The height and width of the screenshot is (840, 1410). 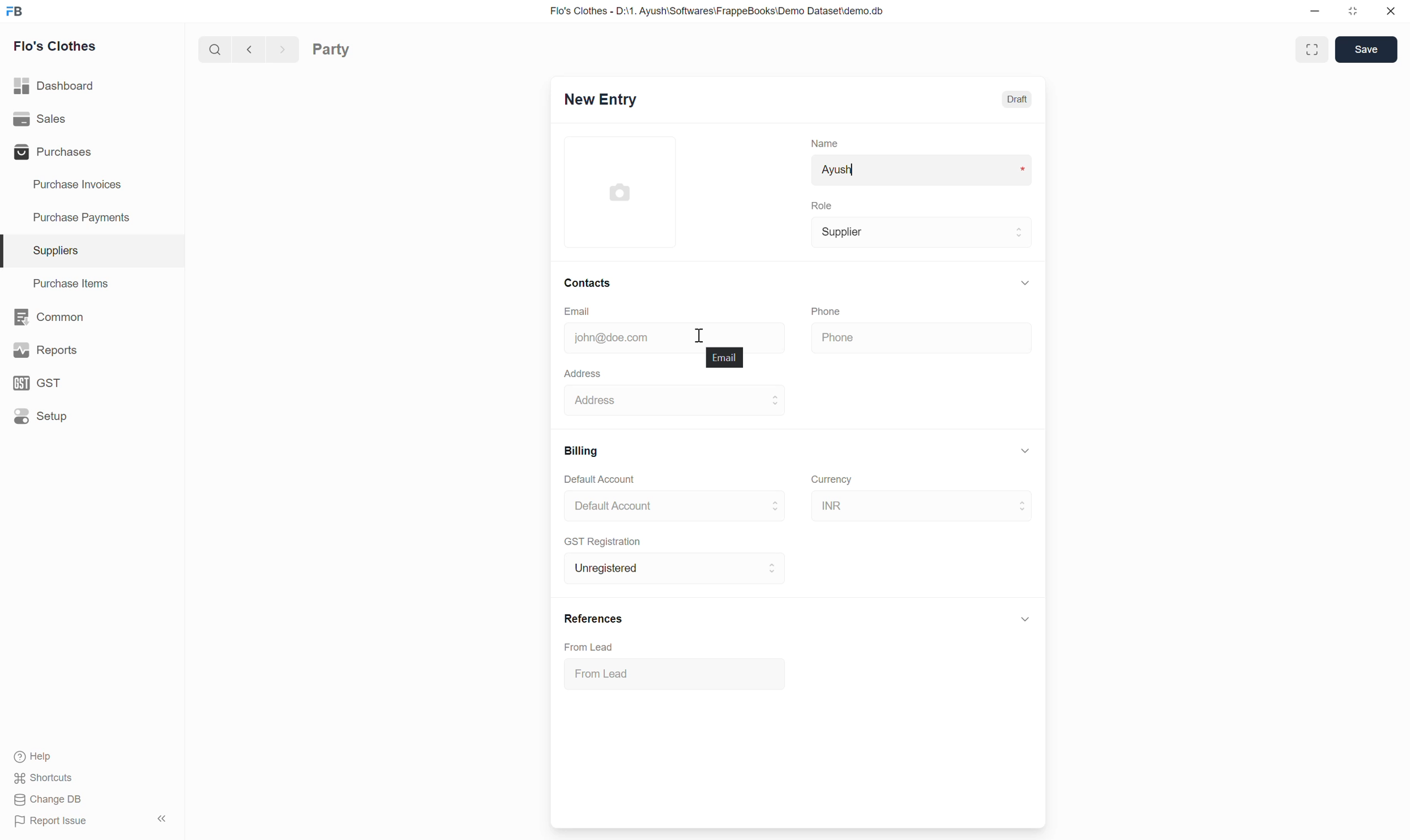 What do you see at coordinates (331, 49) in the screenshot?
I see `Party` at bounding box center [331, 49].